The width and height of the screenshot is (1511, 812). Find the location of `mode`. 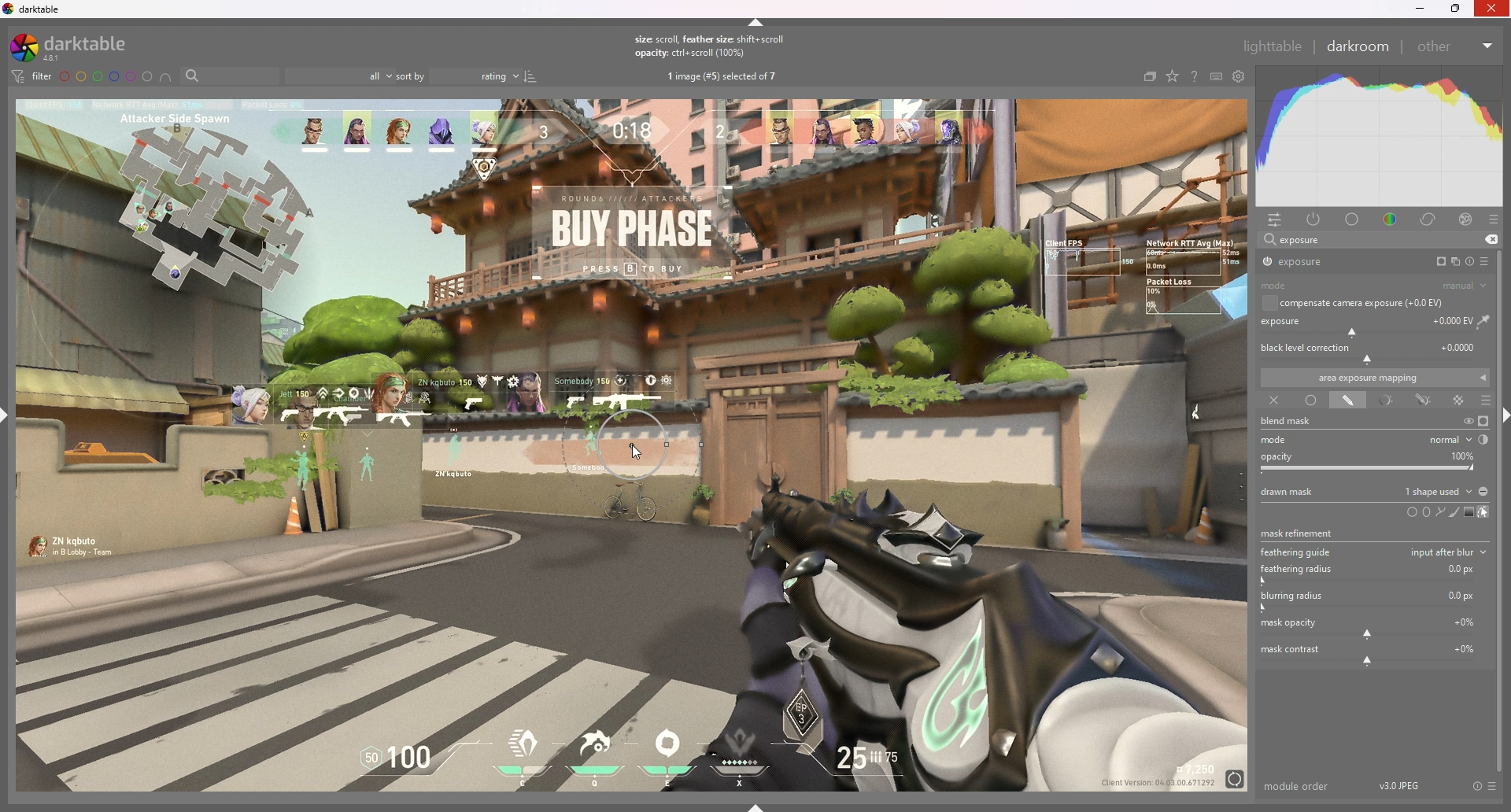

mode is located at coordinates (1378, 439).